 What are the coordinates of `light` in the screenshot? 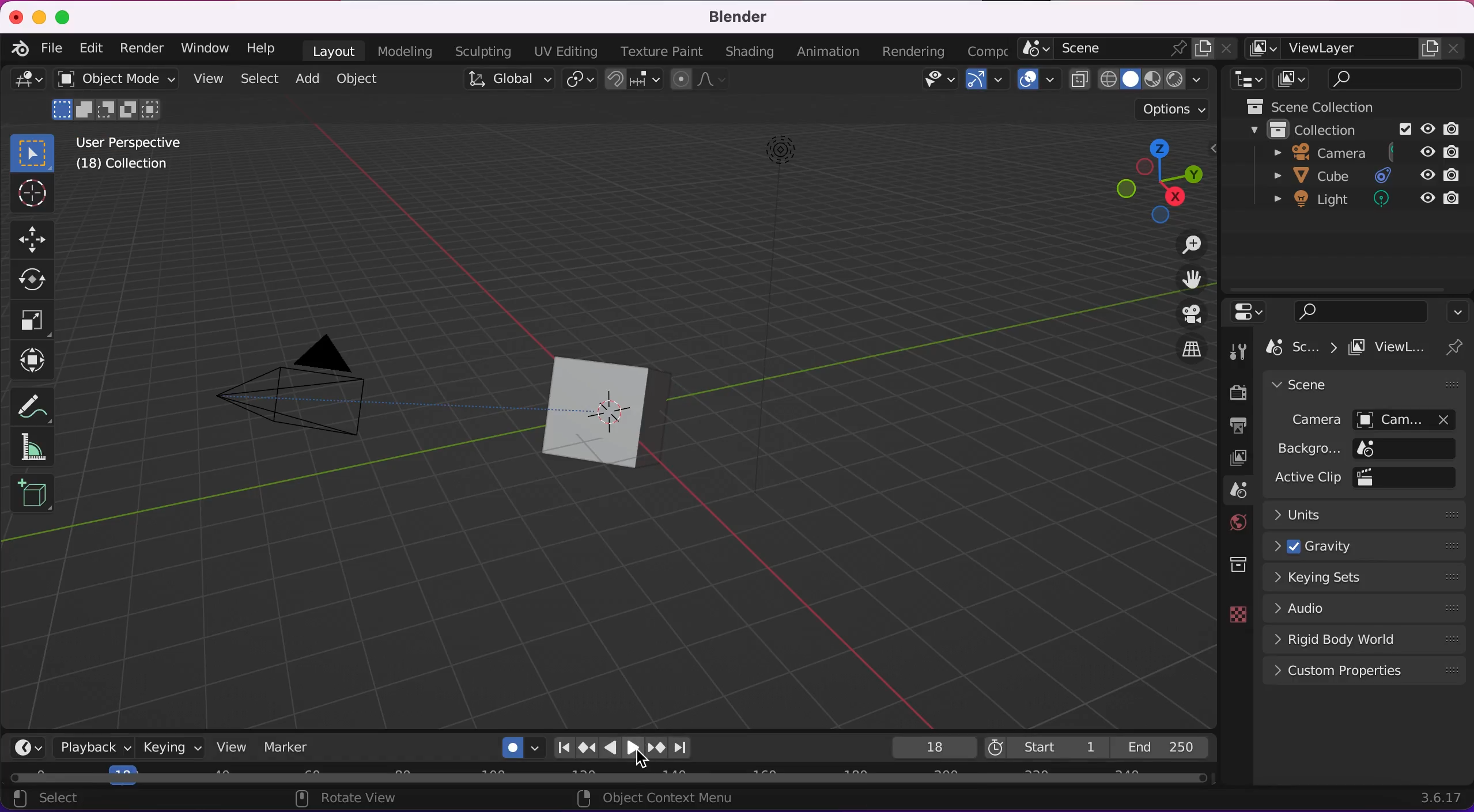 It's located at (788, 231).